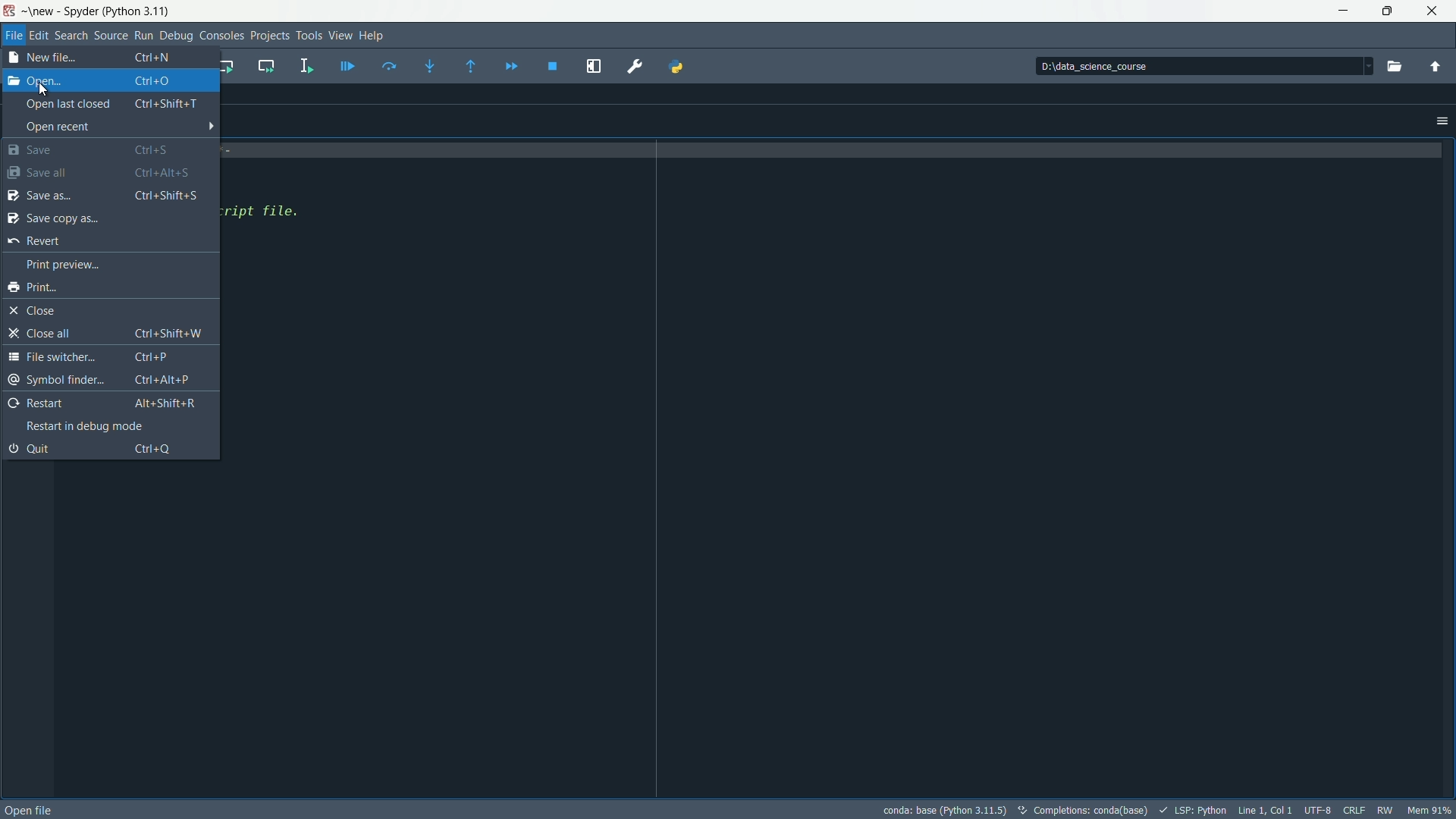 This screenshot has width=1456, height=819. I want to click on minimize, so click(1345, 11).